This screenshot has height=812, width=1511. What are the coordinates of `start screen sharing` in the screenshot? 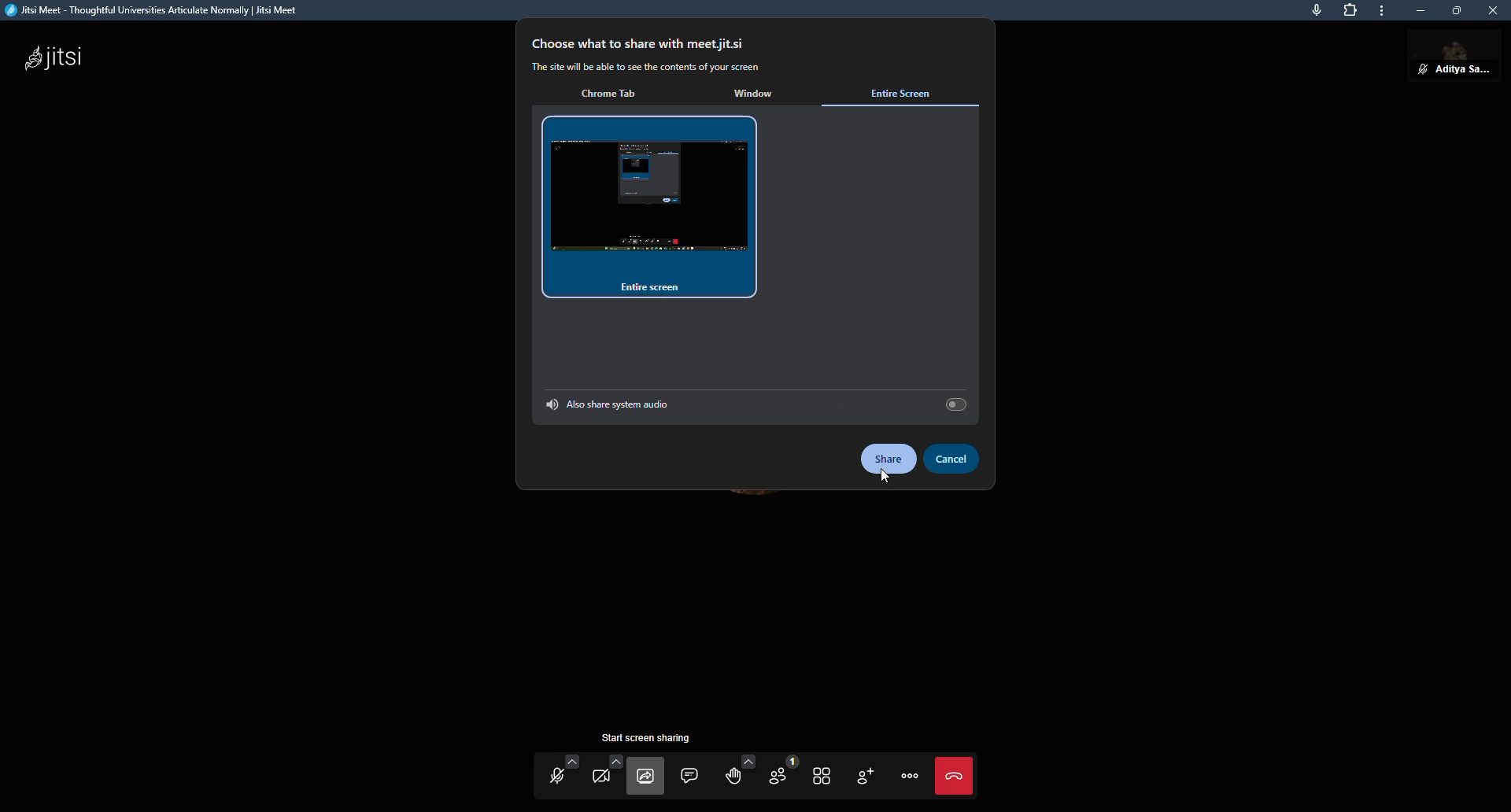 It's located at (648, 776).